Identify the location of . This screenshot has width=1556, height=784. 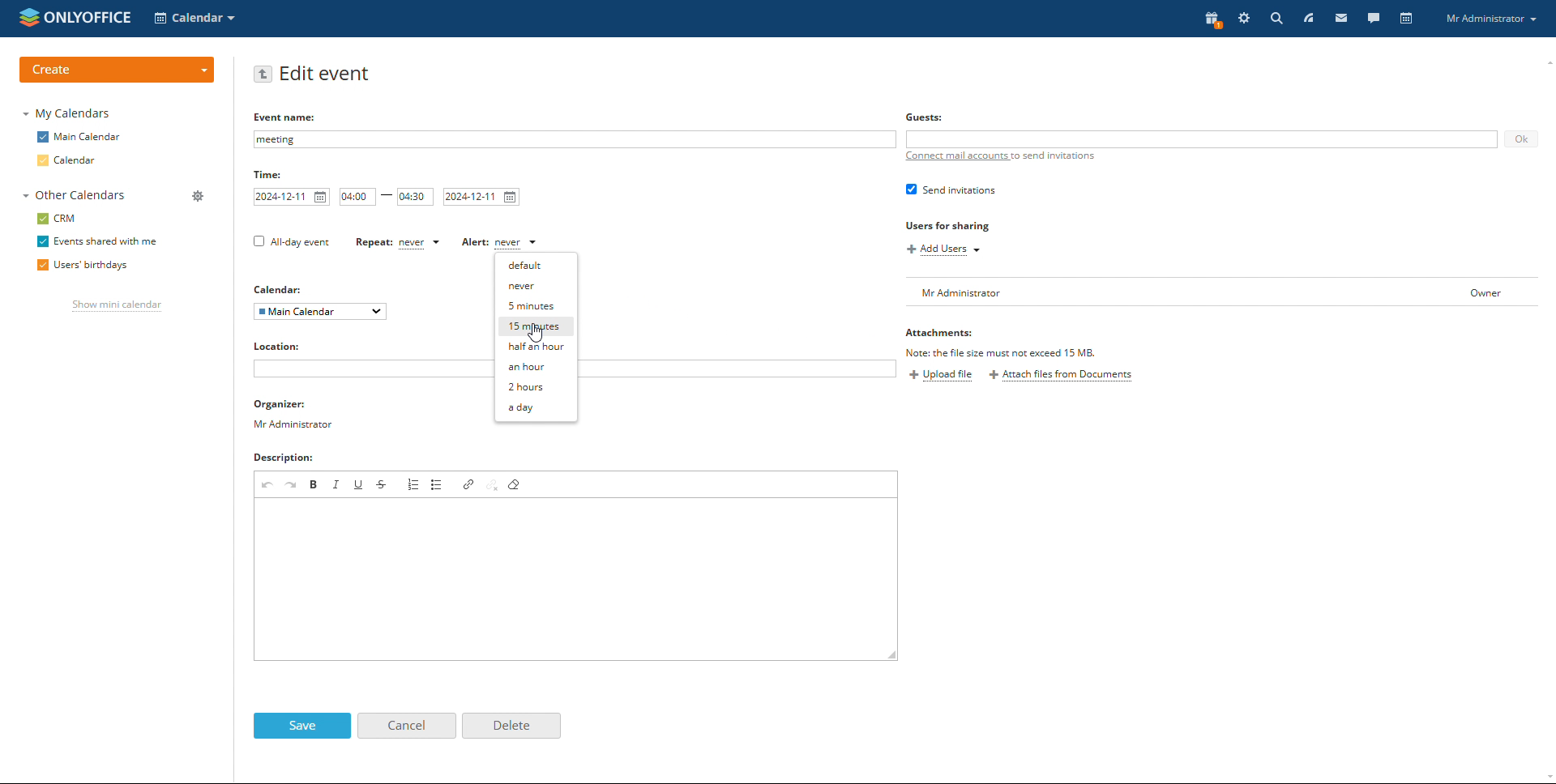
(281, 290).